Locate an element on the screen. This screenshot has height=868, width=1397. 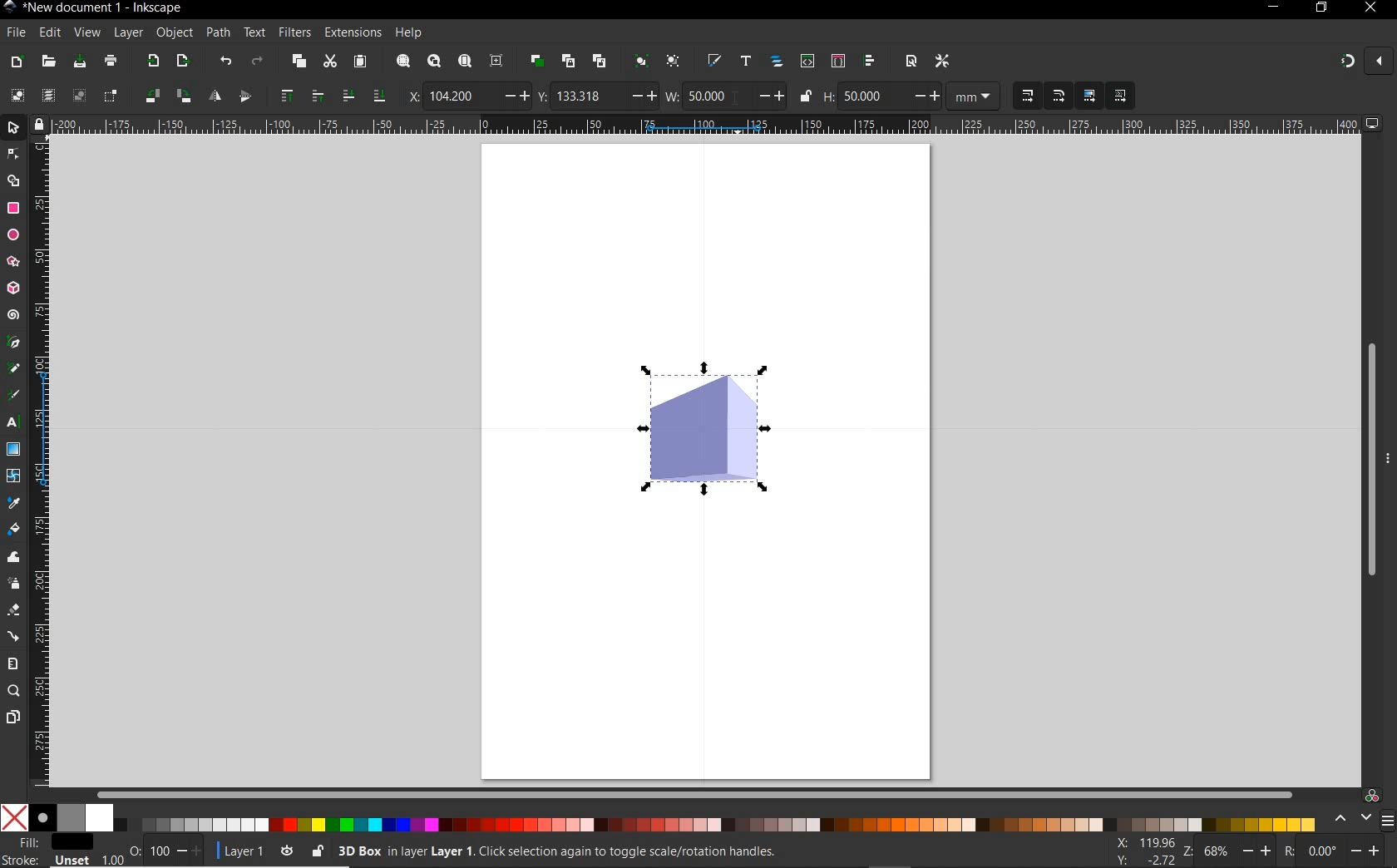
lower selection is located at coordinates (347, 96).